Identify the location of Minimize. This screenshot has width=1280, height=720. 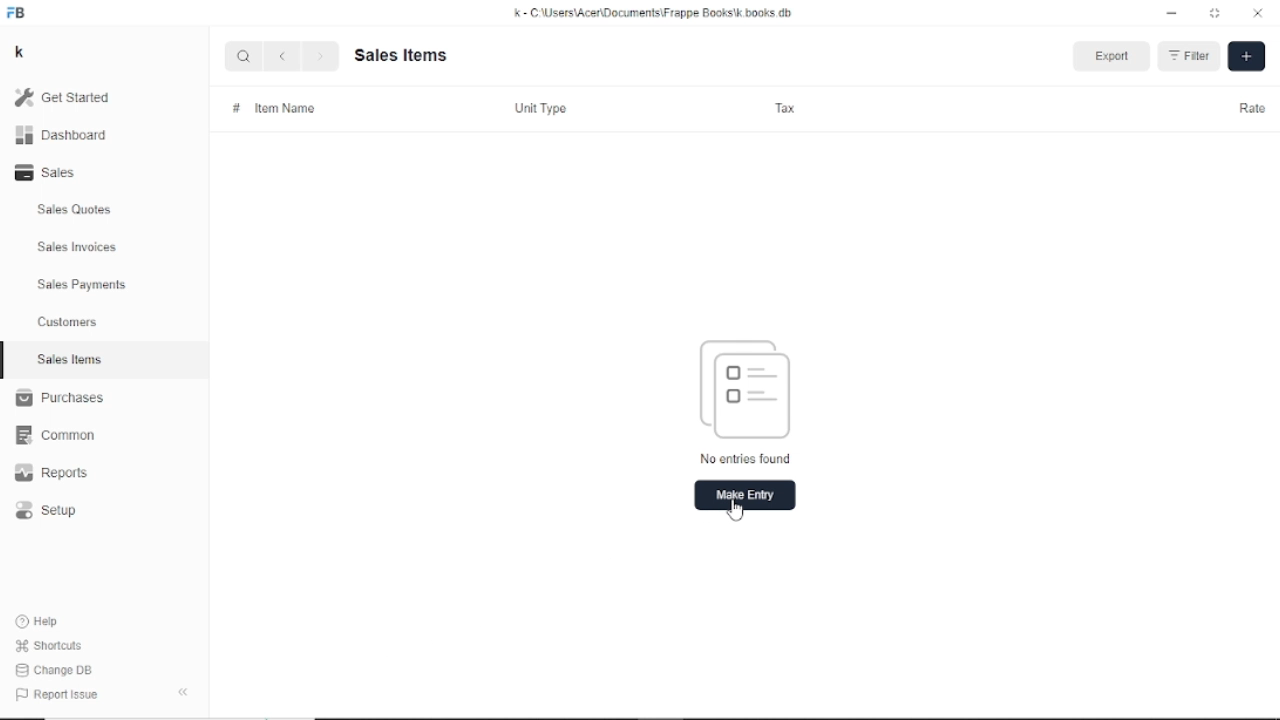
(1173, 14).